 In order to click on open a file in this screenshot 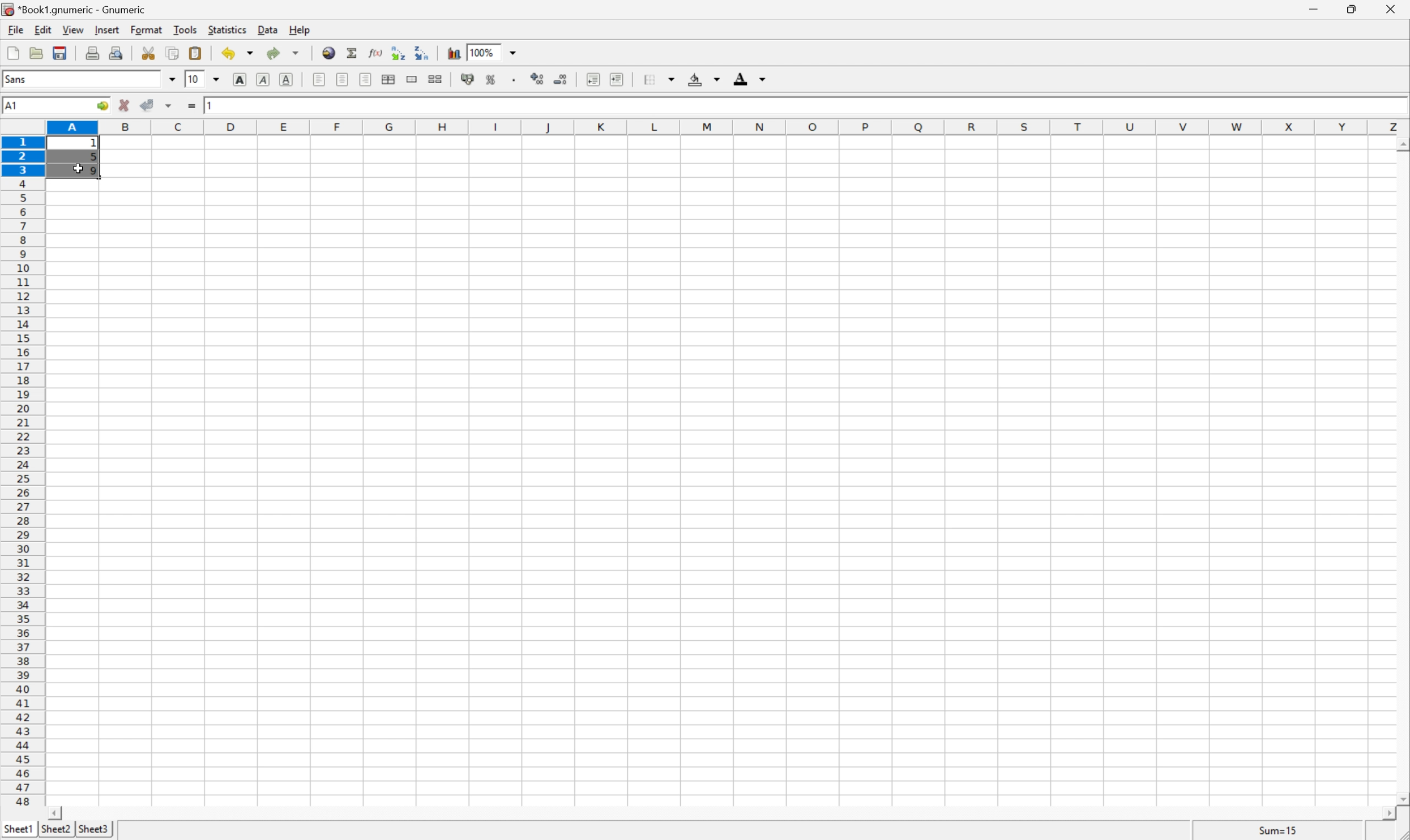, I will do `click(35, 51)`.